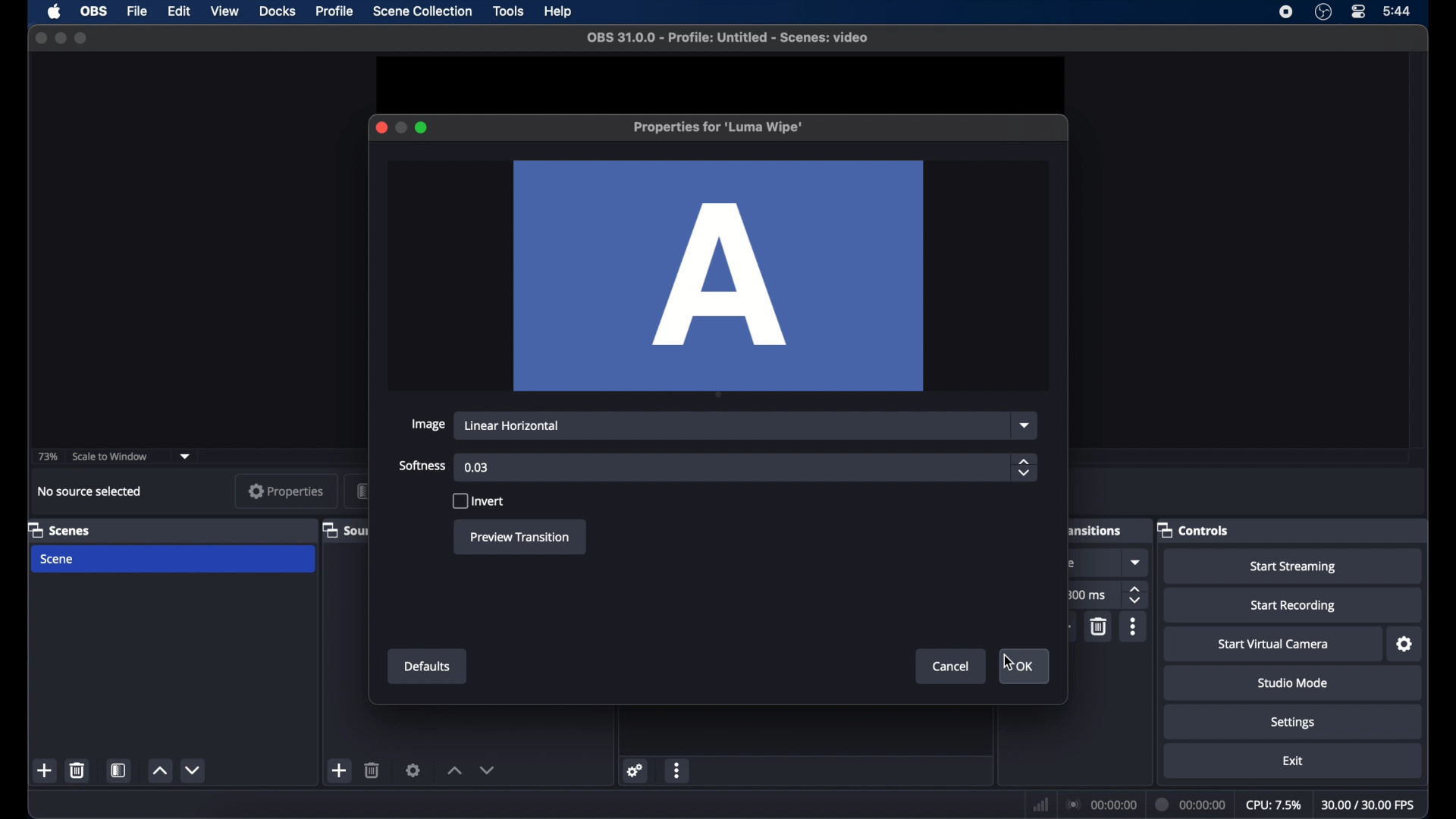  I want to click on cancel, so click(952, 667).